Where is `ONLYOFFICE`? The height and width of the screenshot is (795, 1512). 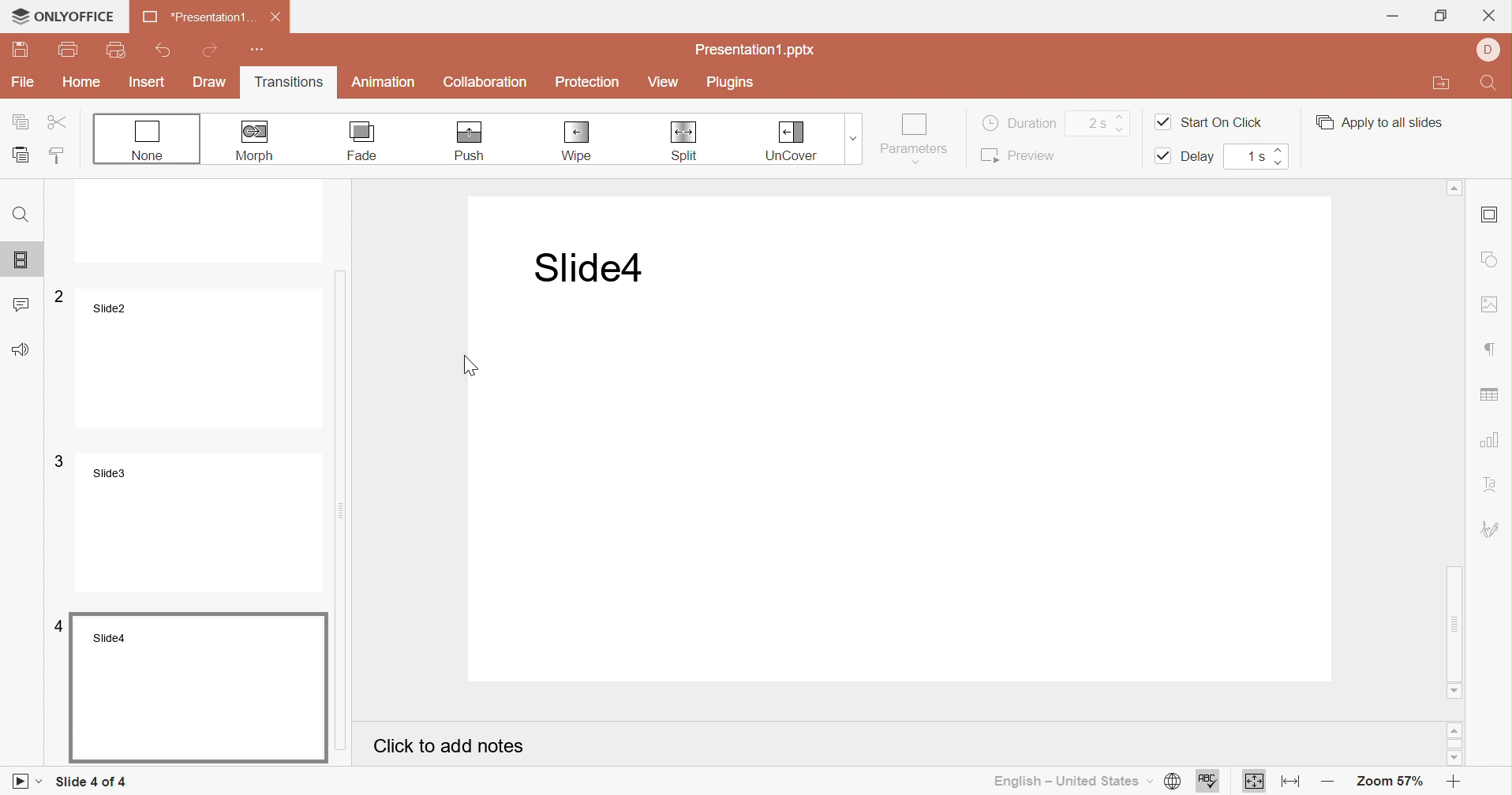
ONLYOFFICE is located at coordinates (62, 16).